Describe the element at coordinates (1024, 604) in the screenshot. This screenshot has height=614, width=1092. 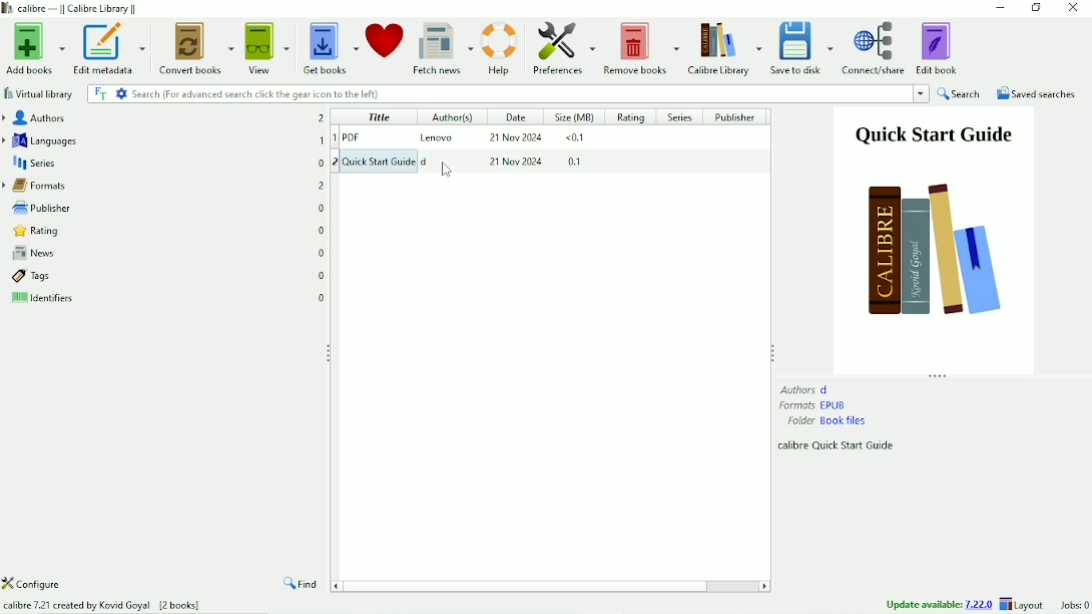
I see `Layout` at that location.